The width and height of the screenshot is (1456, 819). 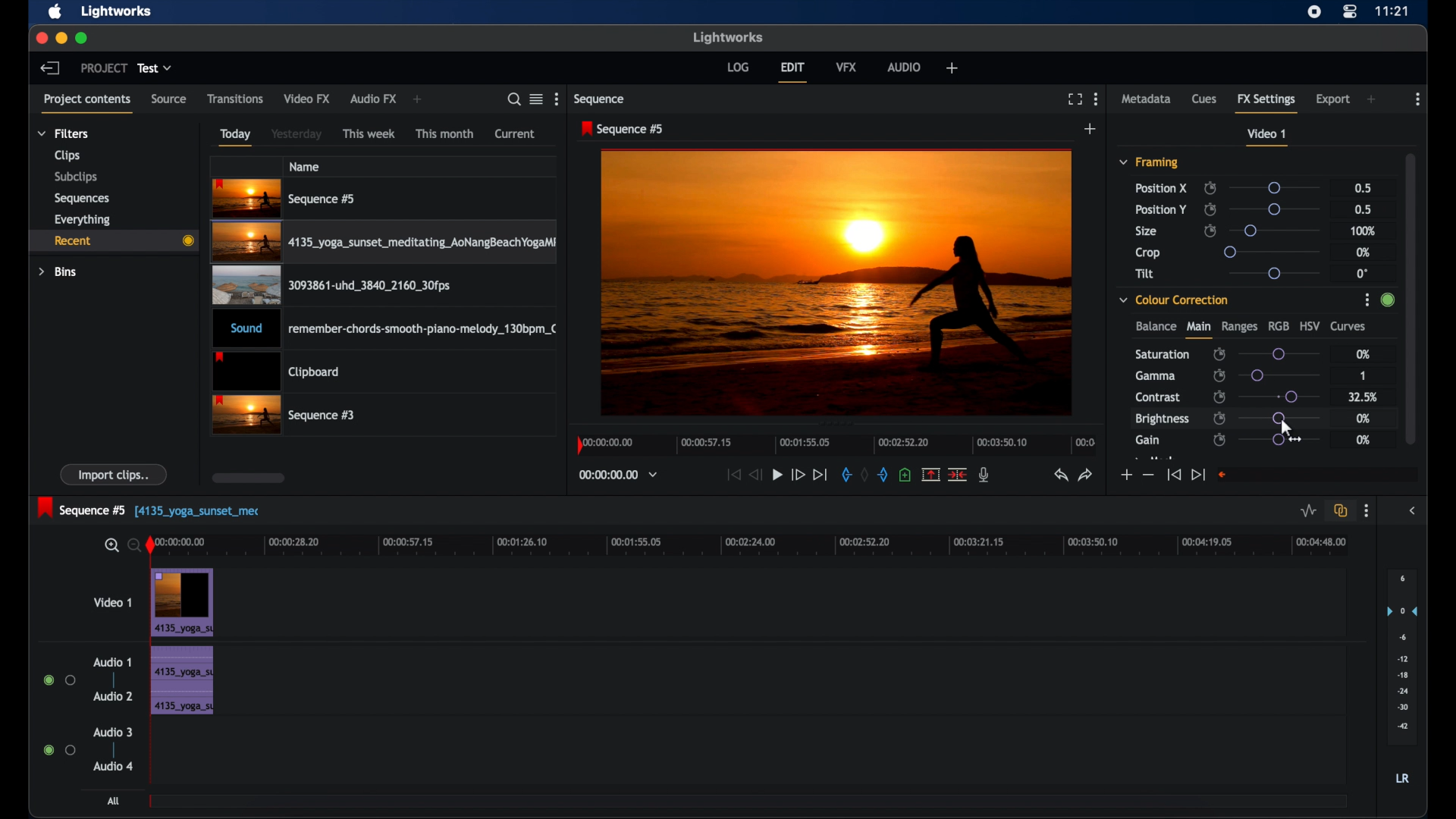 What do you see at coordinates (1309, 511) in the screenshot?
I see `toggle audio levels editing` at bounding box center [1309, 511].